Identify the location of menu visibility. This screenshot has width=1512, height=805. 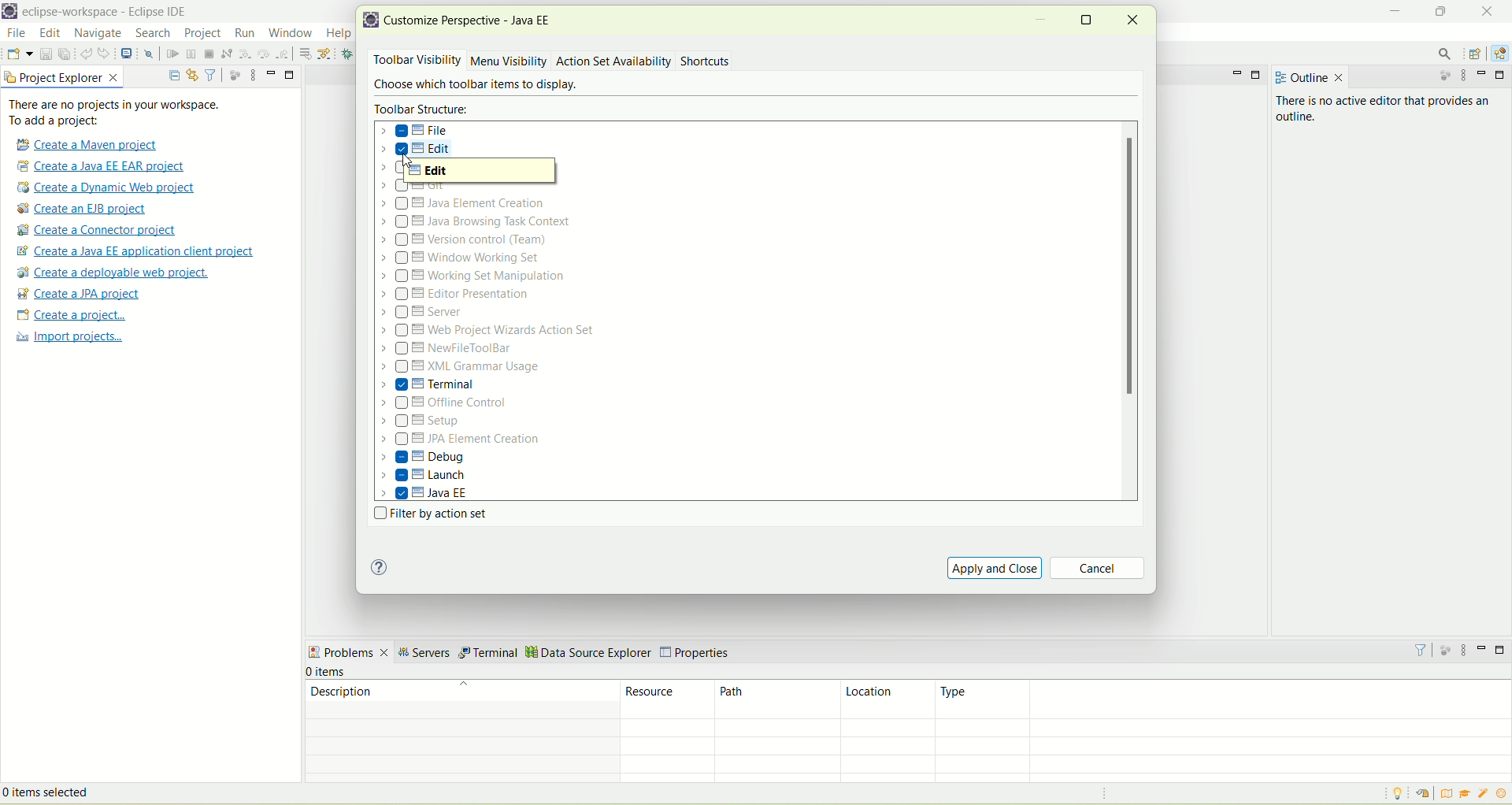
(509, 62).